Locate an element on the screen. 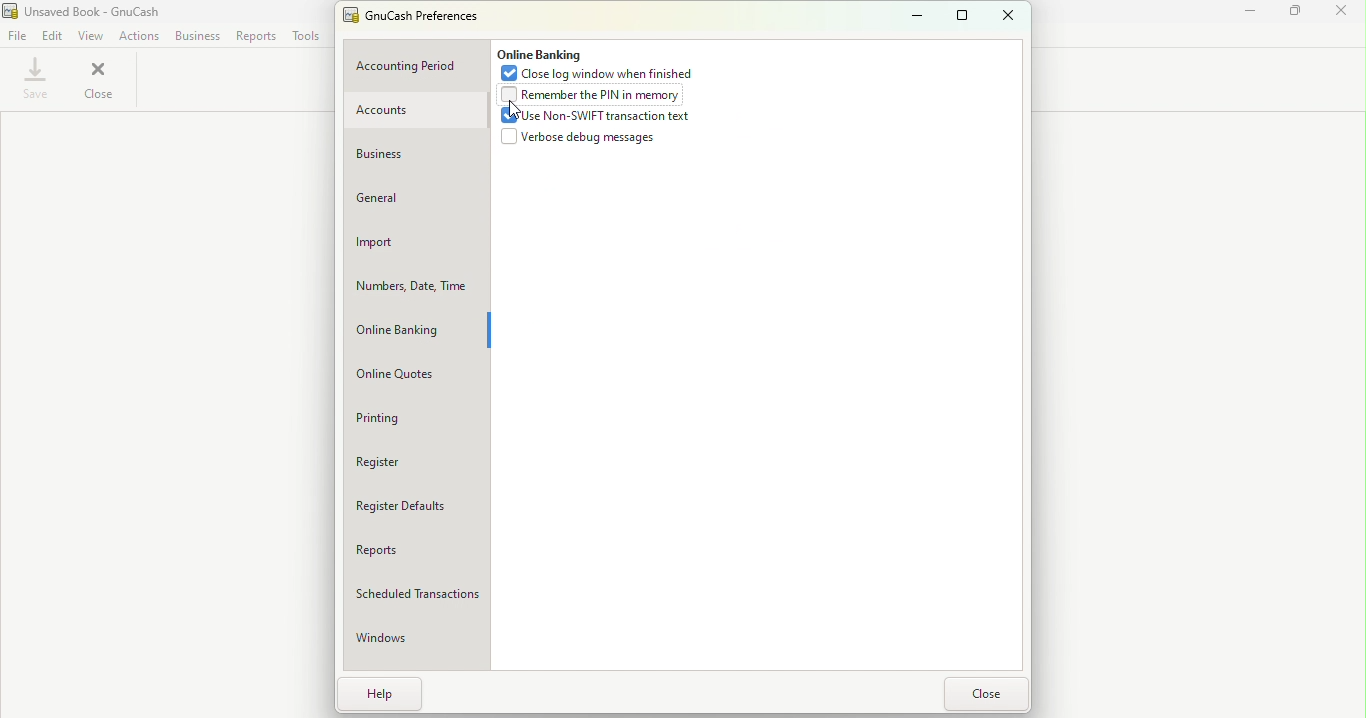 This screenshot has height=718, width=1366. Use non-SWIF transaction text is located at coordinates (592, 119).